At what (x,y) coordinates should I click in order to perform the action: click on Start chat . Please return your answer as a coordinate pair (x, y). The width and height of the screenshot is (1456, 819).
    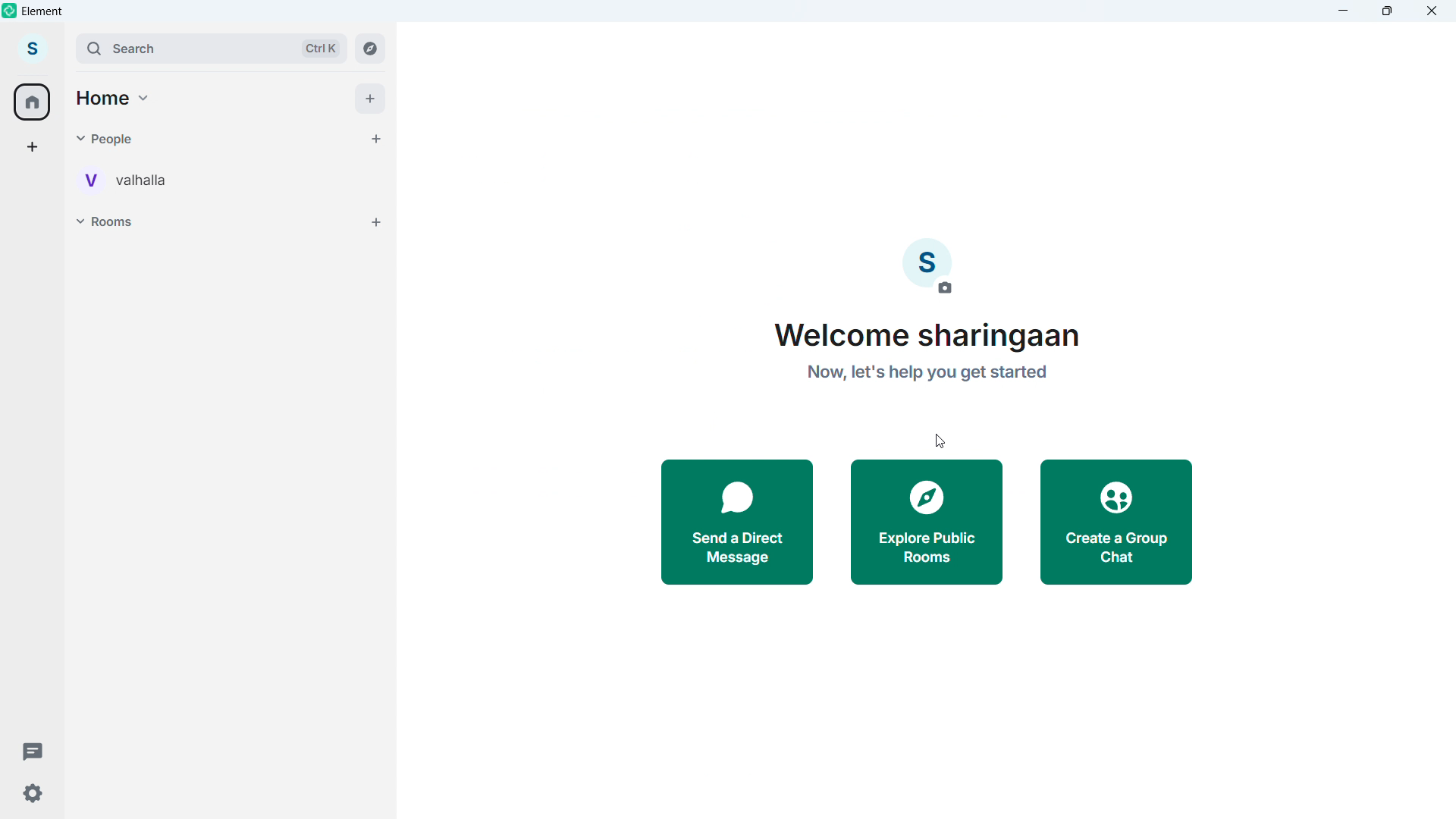
    Looking at the image, I should click on (373, 137).